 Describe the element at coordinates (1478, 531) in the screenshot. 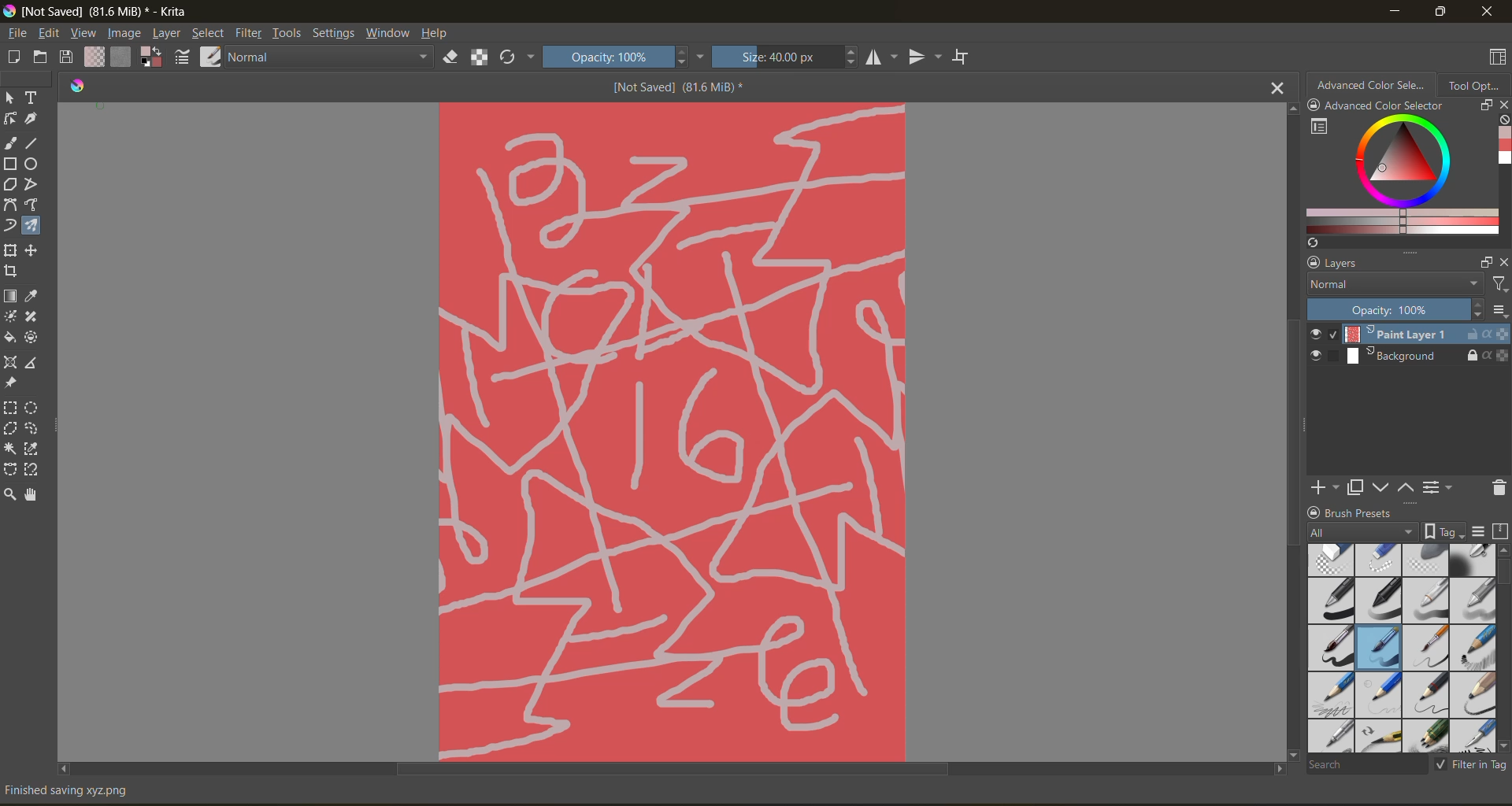

I see `display settings` at that location.